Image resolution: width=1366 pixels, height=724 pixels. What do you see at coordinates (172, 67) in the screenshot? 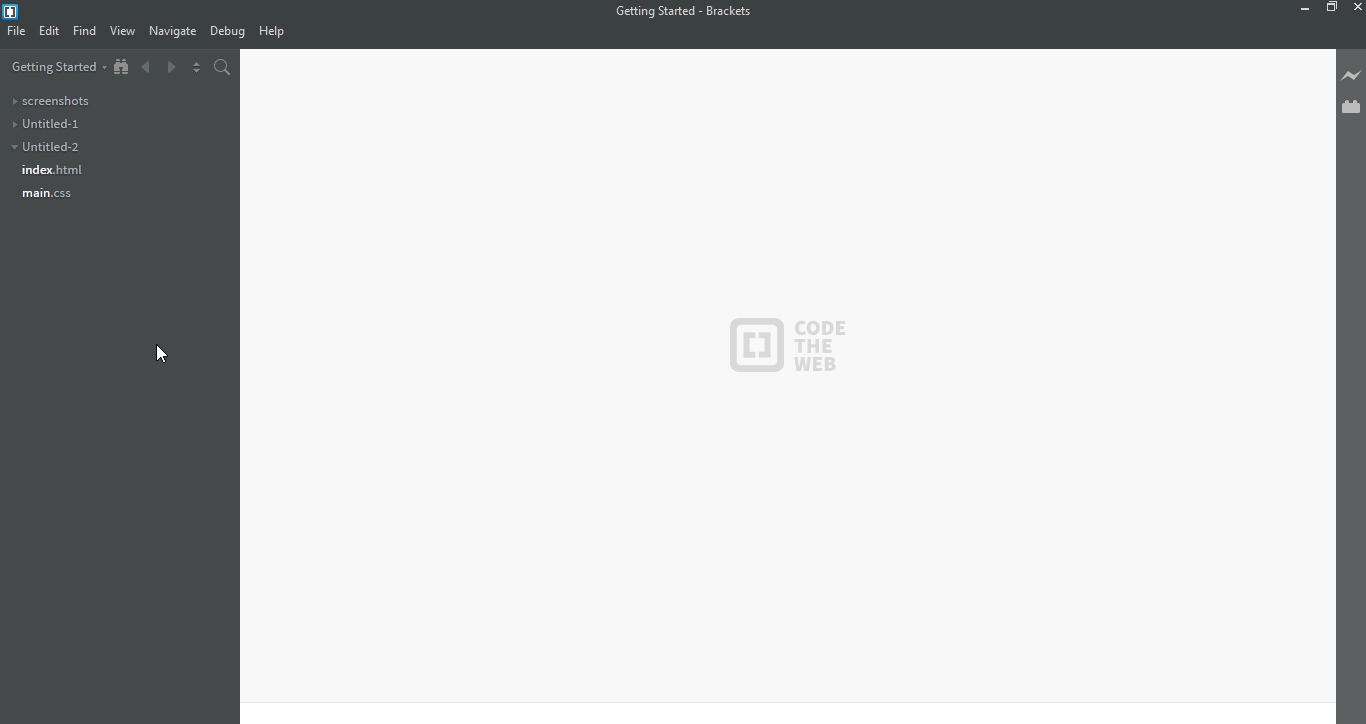
I see `forward` at bounding box center [172, 67].